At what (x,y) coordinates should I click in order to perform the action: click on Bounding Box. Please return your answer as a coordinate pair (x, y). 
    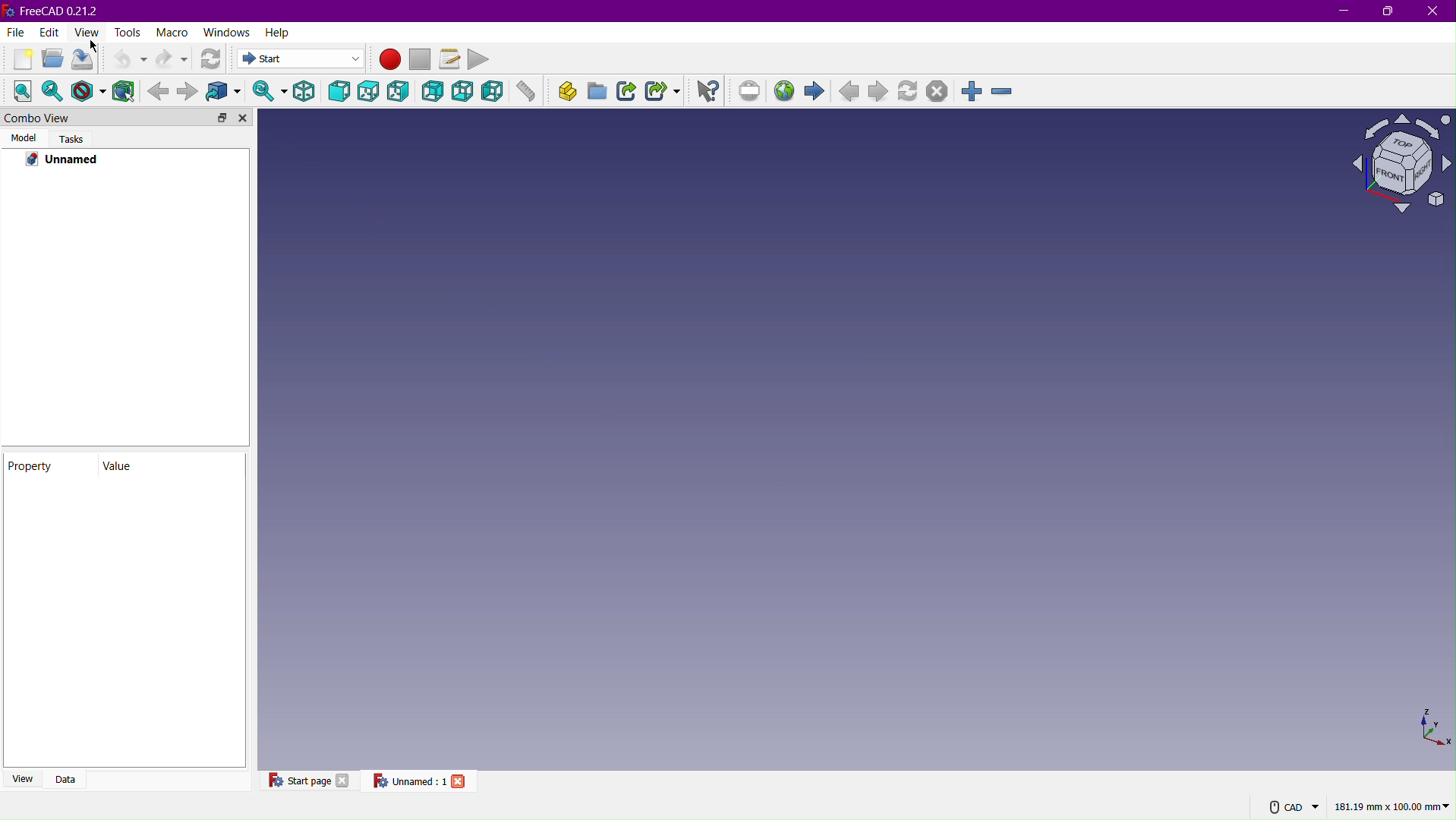
    Looking at the image, I should click on (122, 93).